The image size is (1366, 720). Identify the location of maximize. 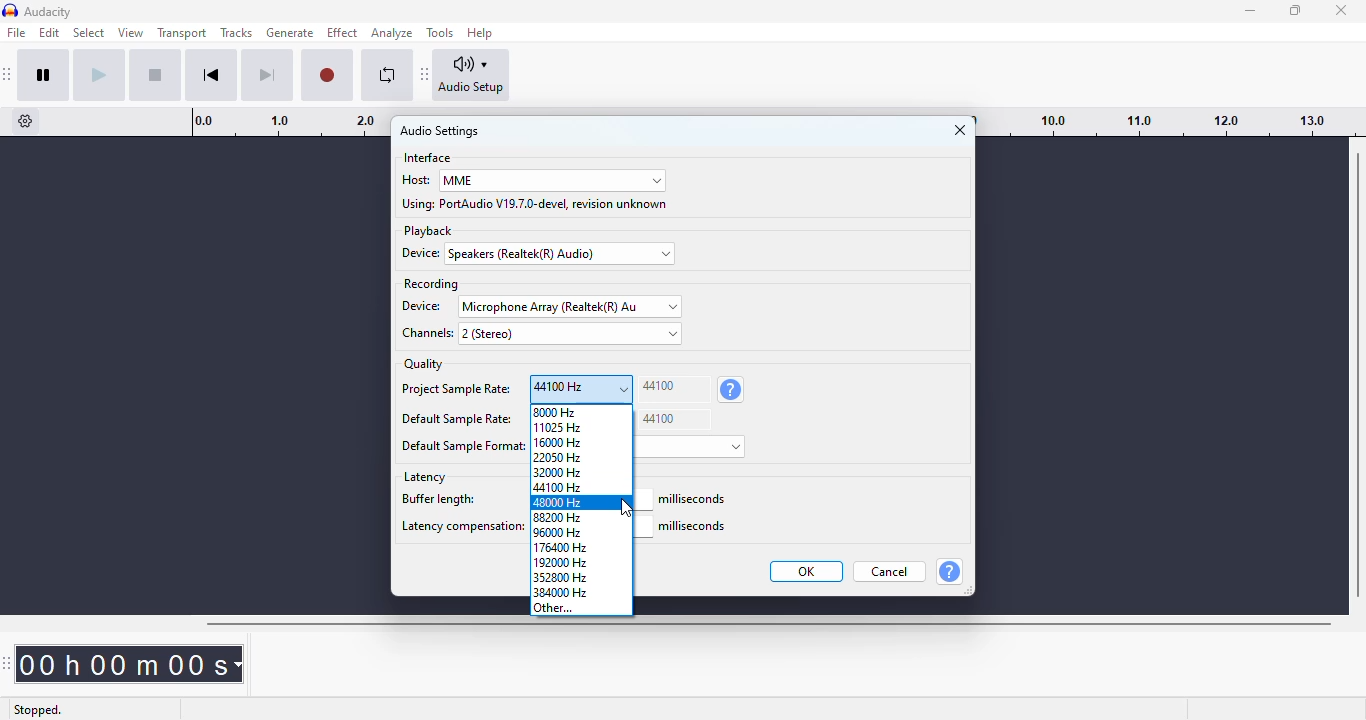
(1295, 9).